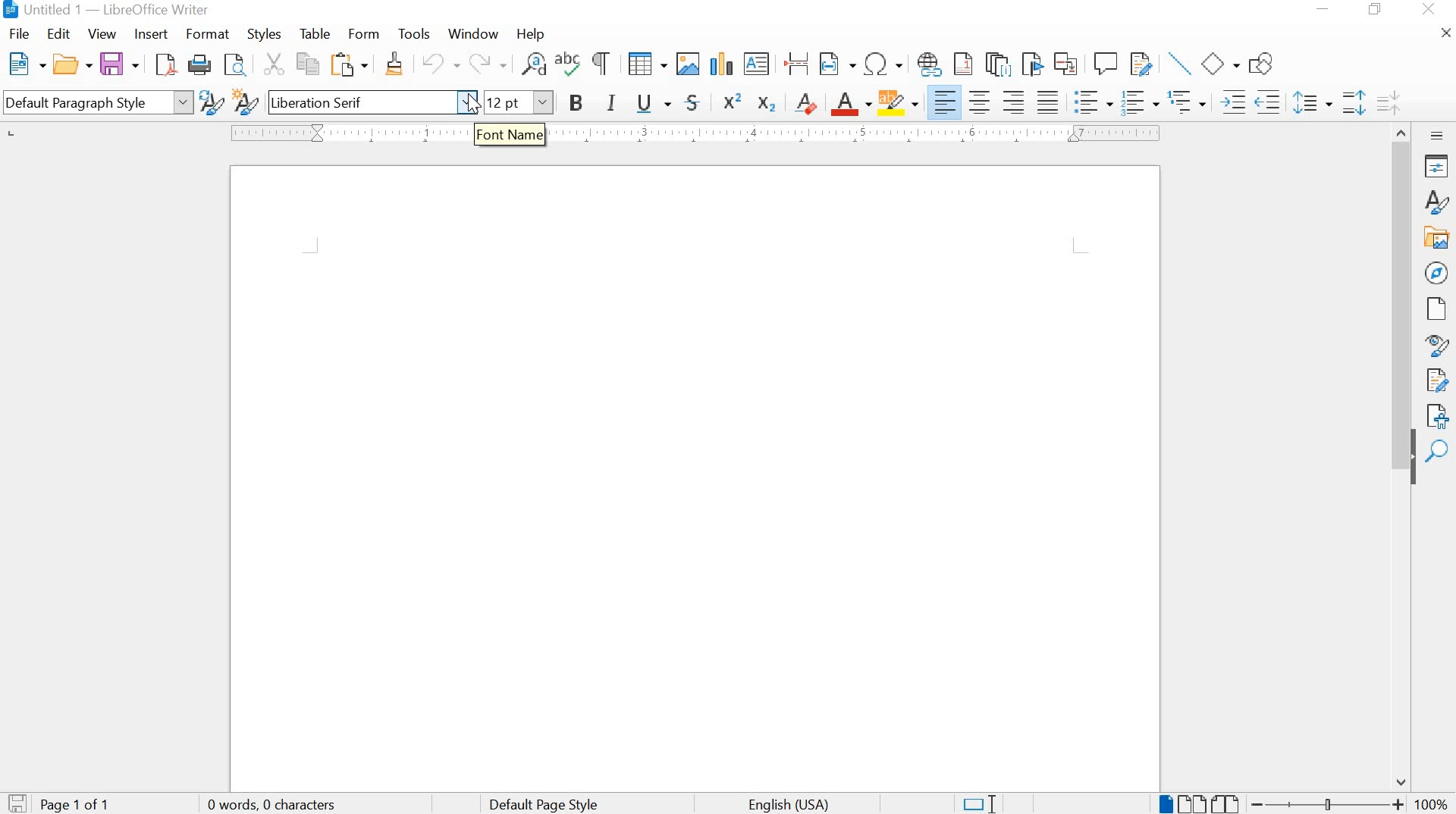 This screenshot has height=814, width=1456. Describe the element at coordinates (165, 66) in the screenshot. I see `SAVE AS PDF` at that location.